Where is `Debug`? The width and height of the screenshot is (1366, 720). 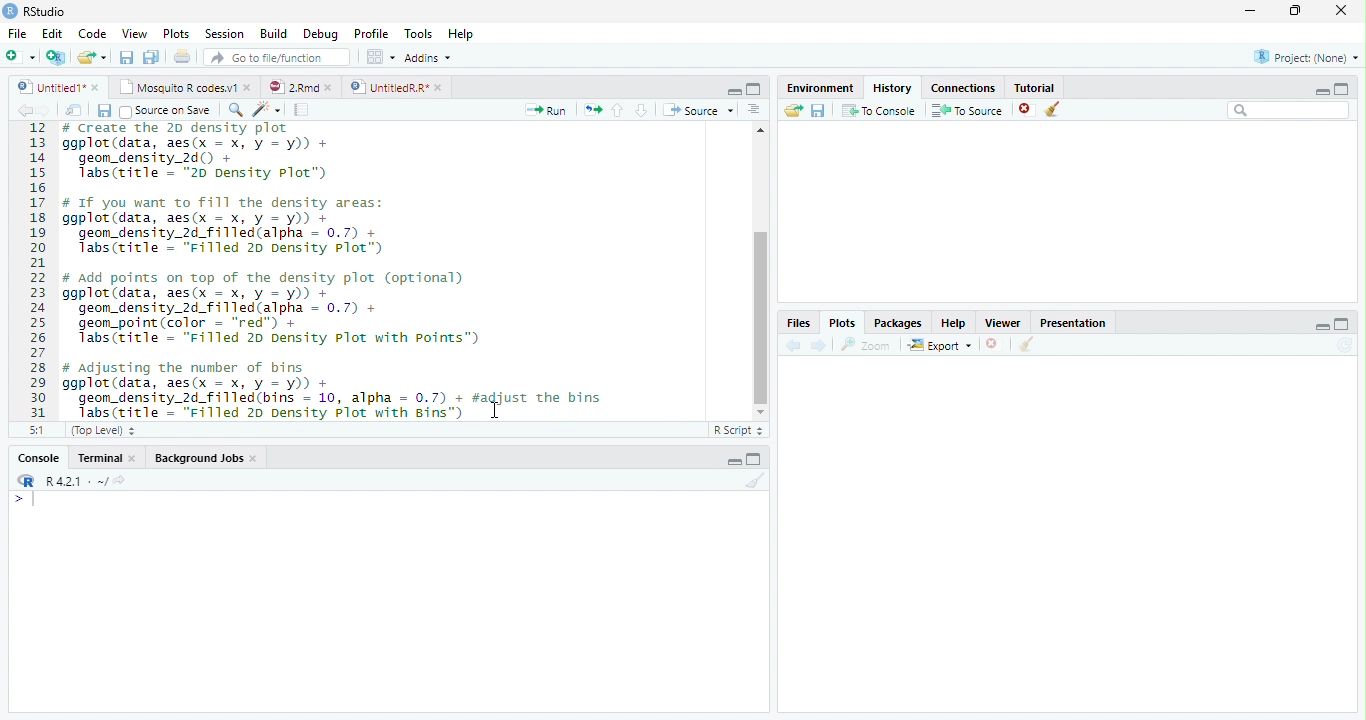
Debug is located at coordinates (321, 35).